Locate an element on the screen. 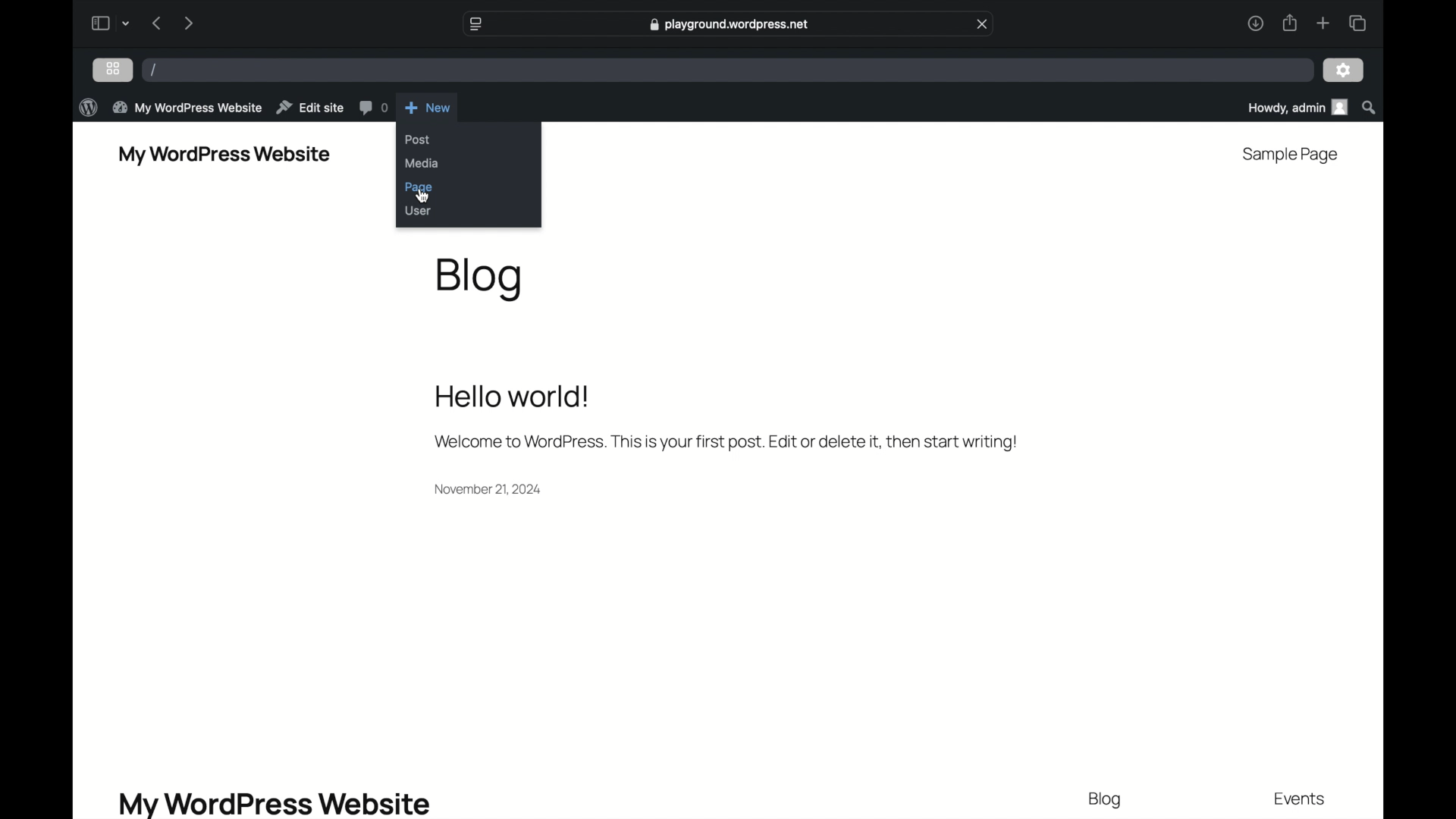  share is located at coordinates (1288, 24).